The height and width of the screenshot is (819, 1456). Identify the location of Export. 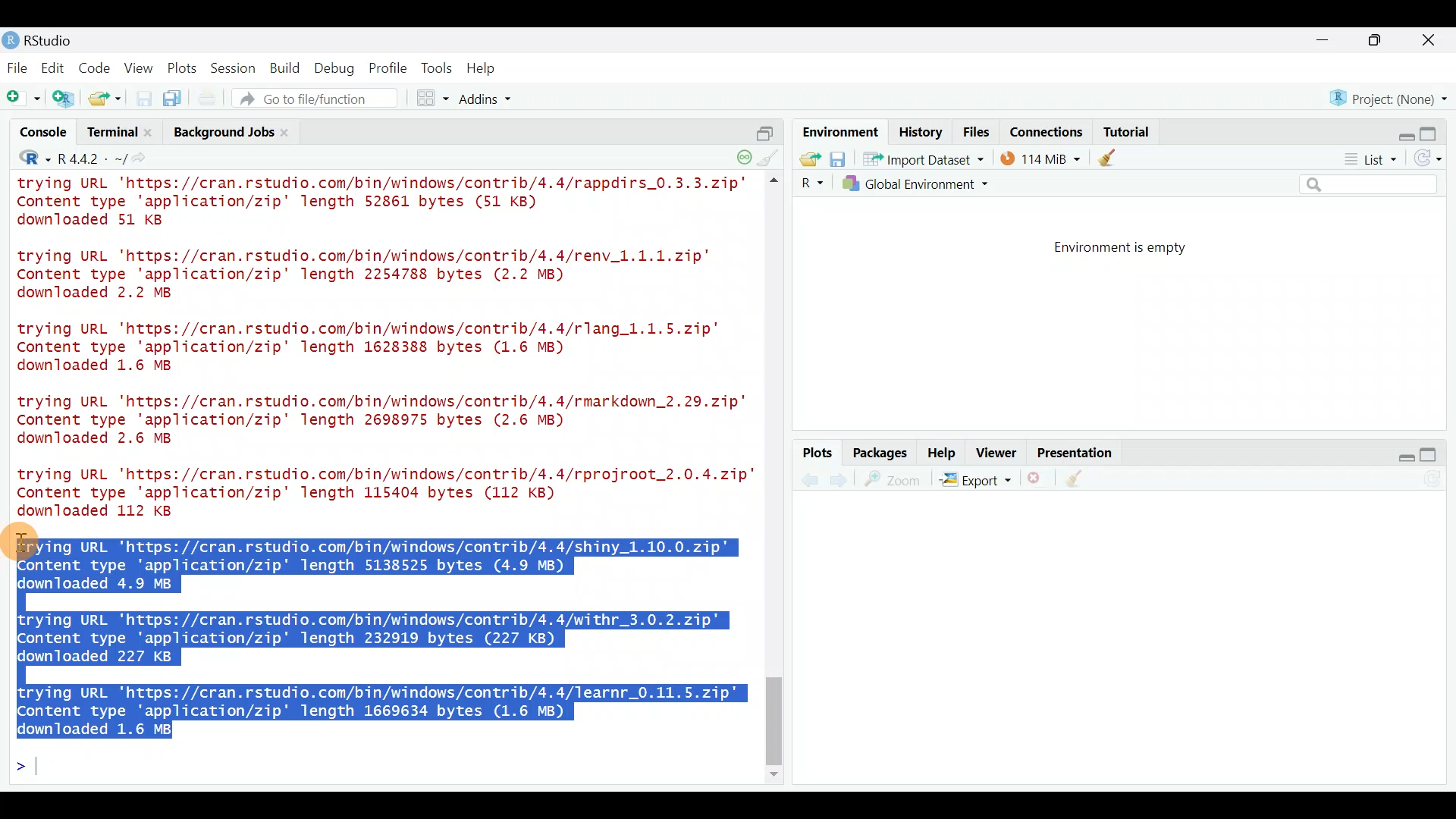
(975, 482).